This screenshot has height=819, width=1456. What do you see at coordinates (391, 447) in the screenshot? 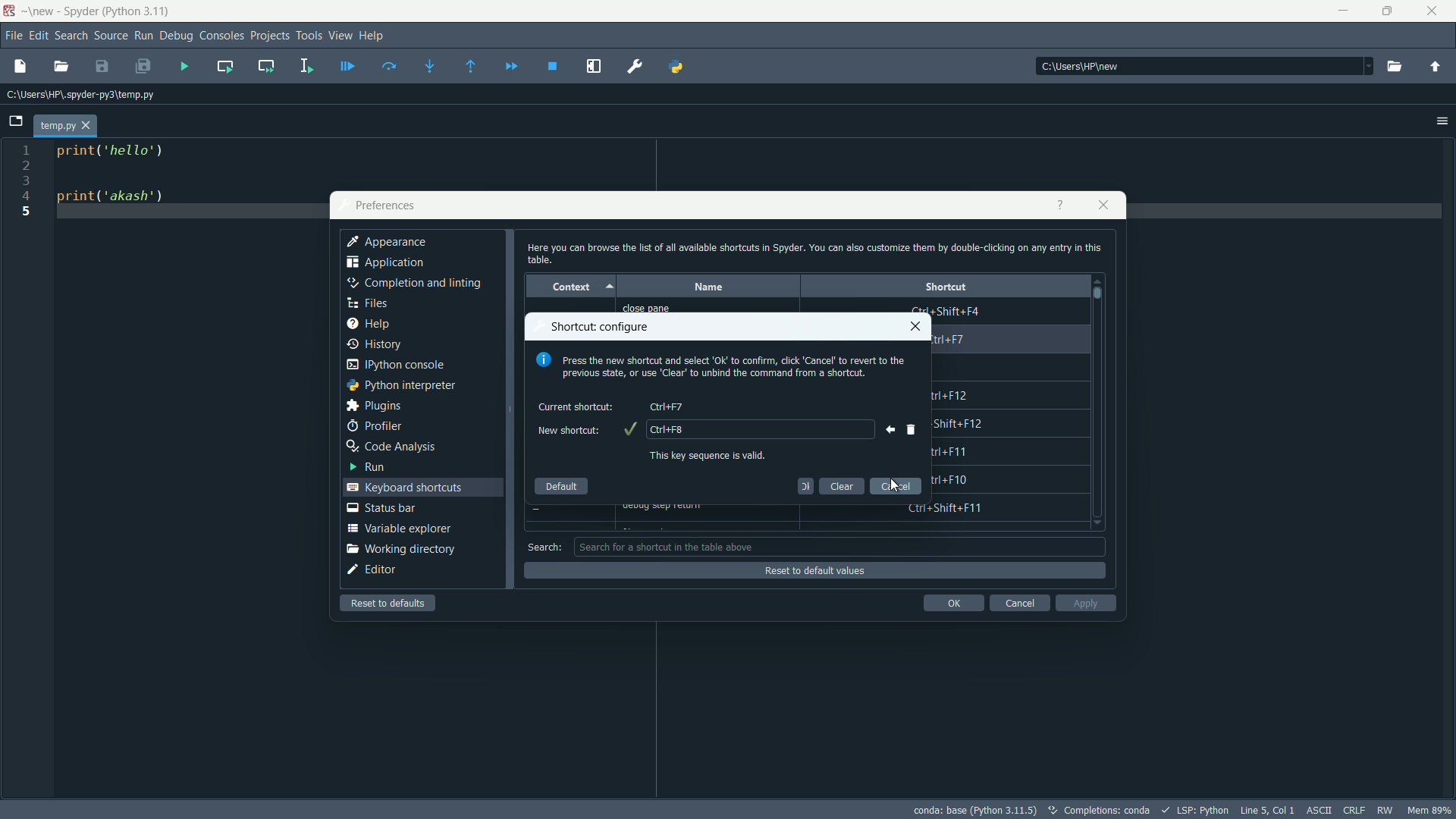
I see `code analysis` at bounding box center [391, 447].